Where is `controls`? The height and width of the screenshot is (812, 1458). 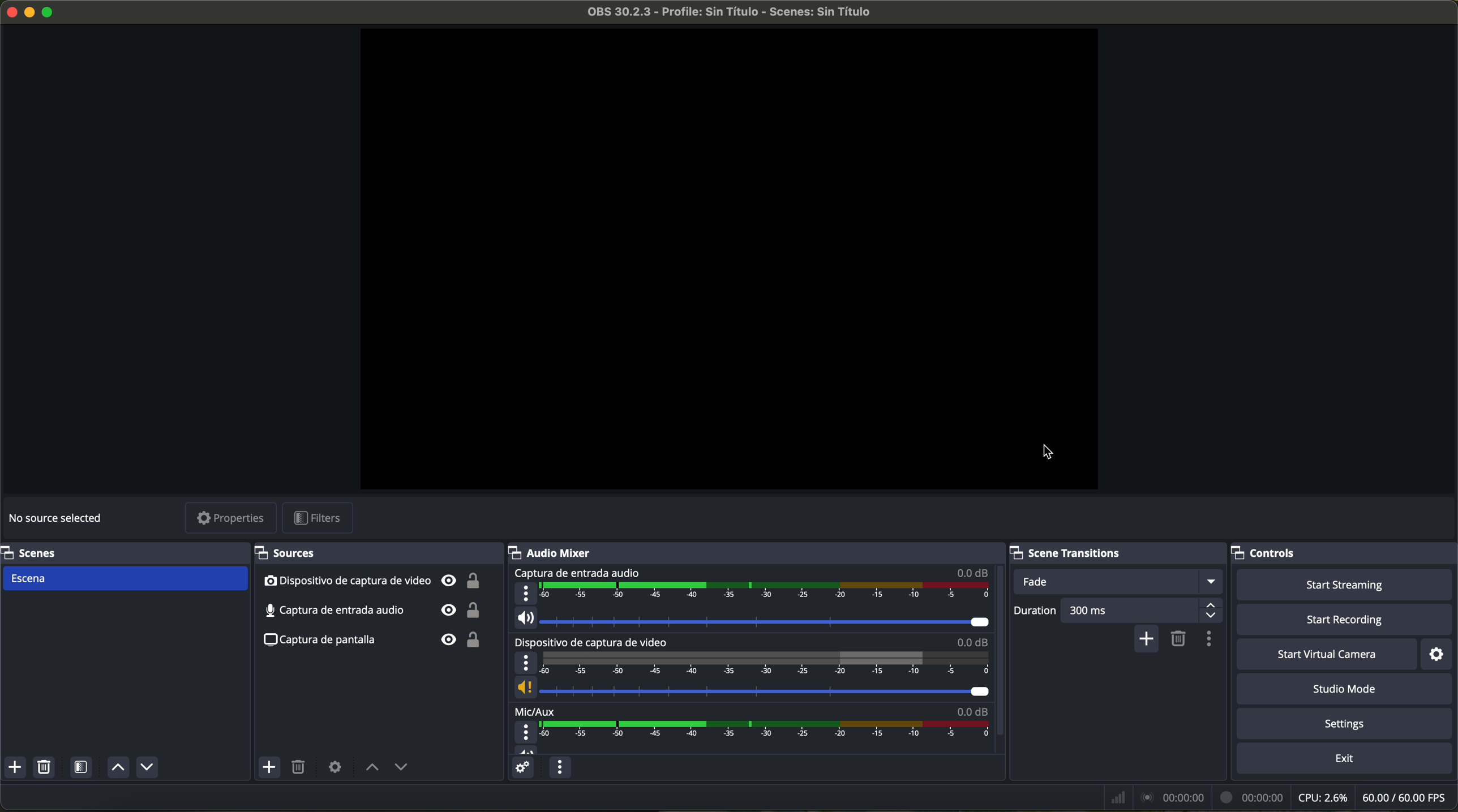 controls is located at coordinates (1344, 553).